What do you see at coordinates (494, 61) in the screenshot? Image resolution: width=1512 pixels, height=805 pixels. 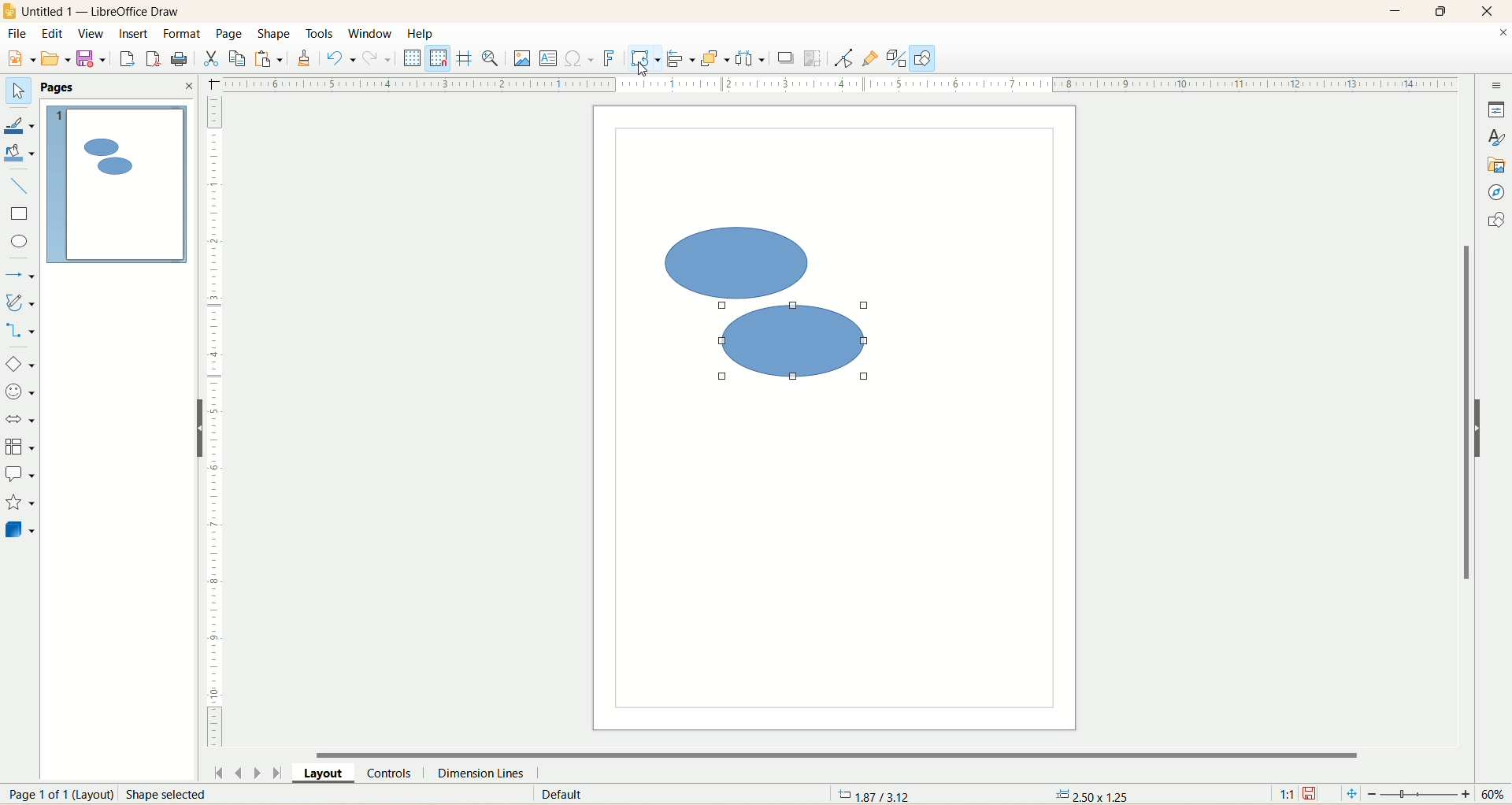 I see `zoom and pan` at bounding box center [494, 61].